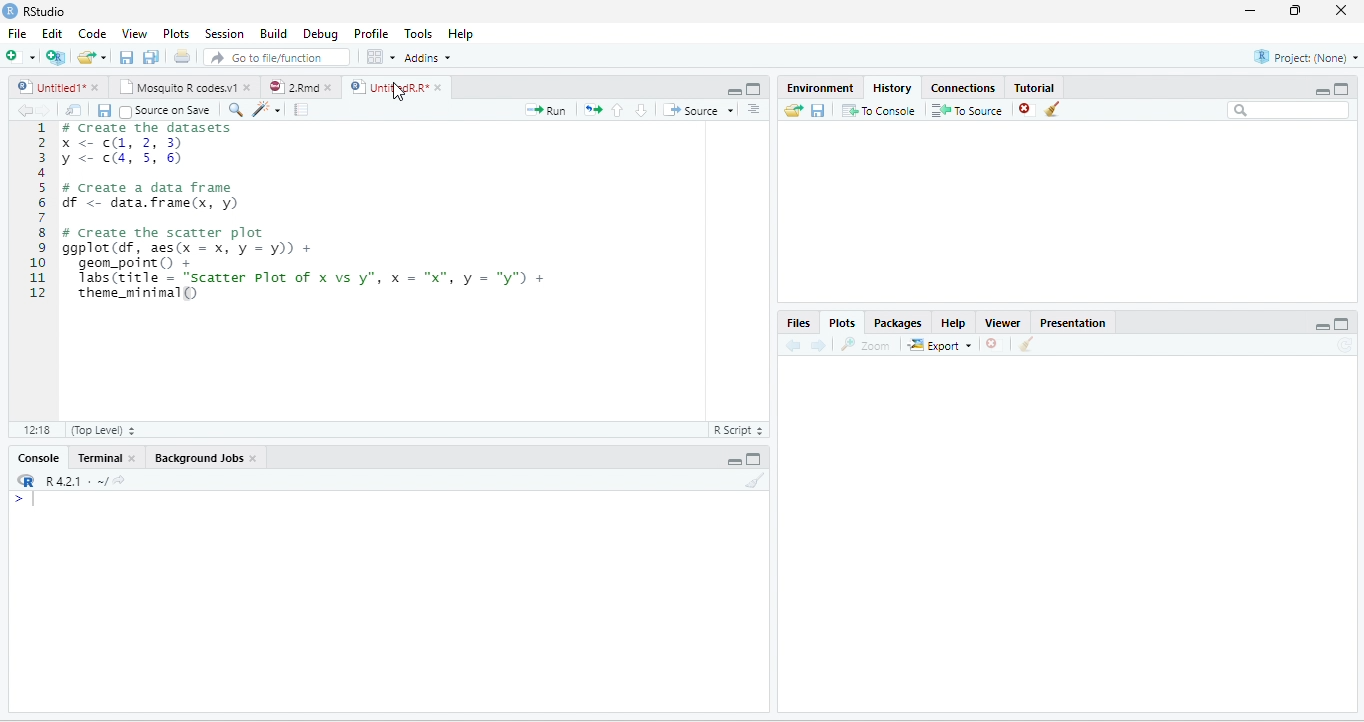 The image size is (1364, 722). Describe the element at coordinates (277, 56) in the screenshot. I see `Go to file/function` at that location.